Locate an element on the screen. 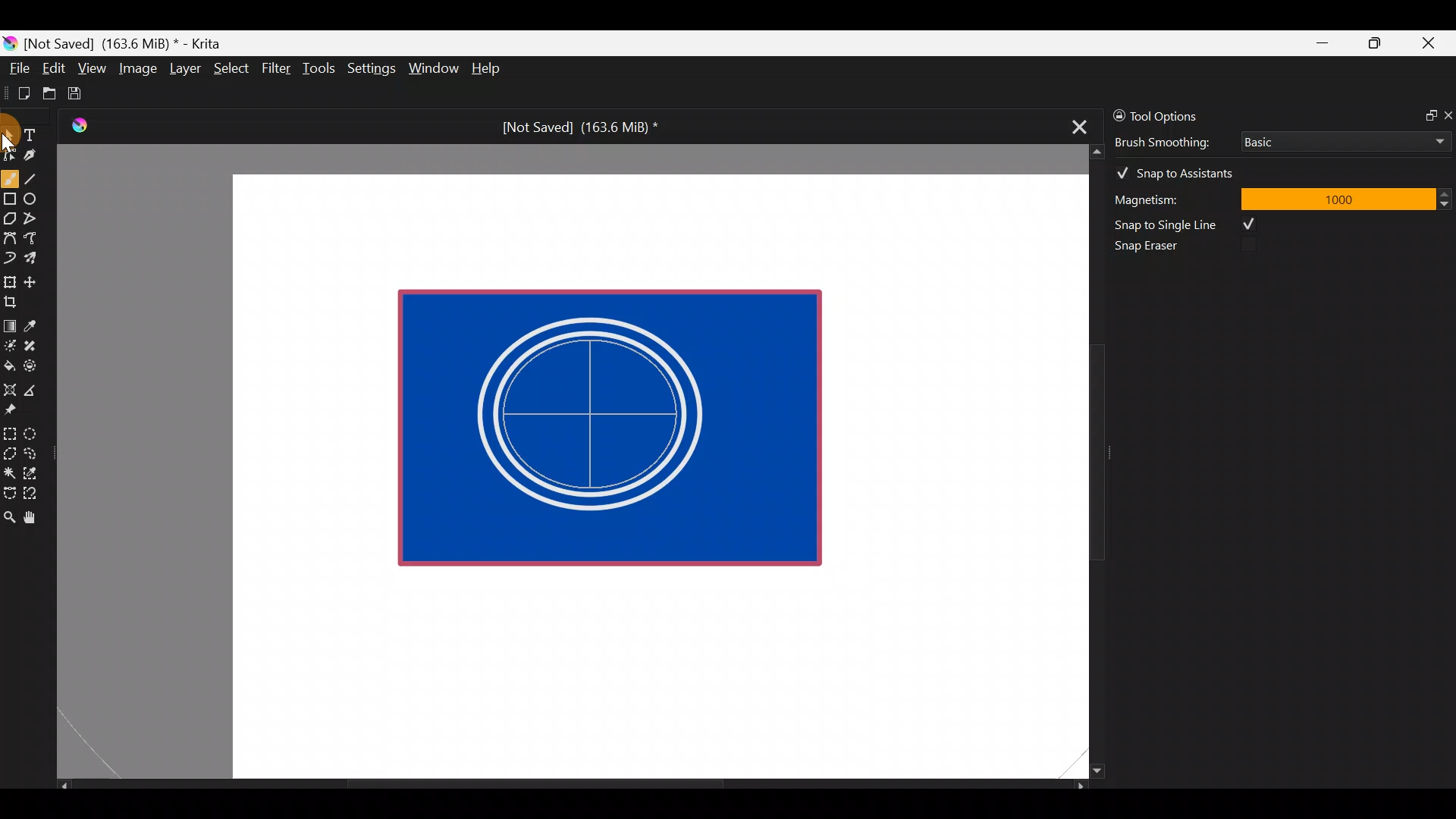 This screenshot has height=819, width=1456. Float docker is located at coordinates (1424, 114).